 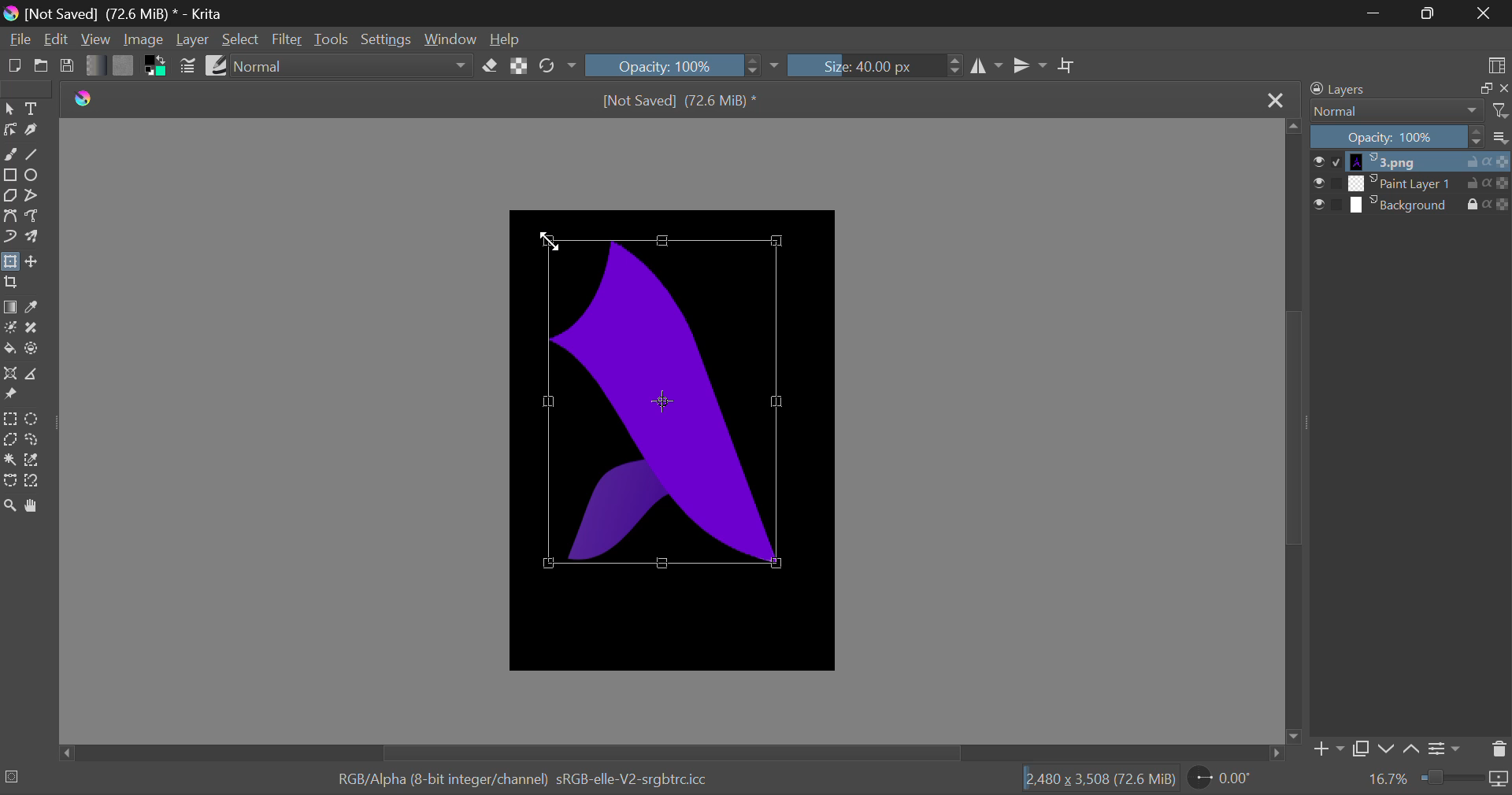 What do you see at coordinates (14, 66) in the screenshot?
I see `New` at bounding box center [14, 66].